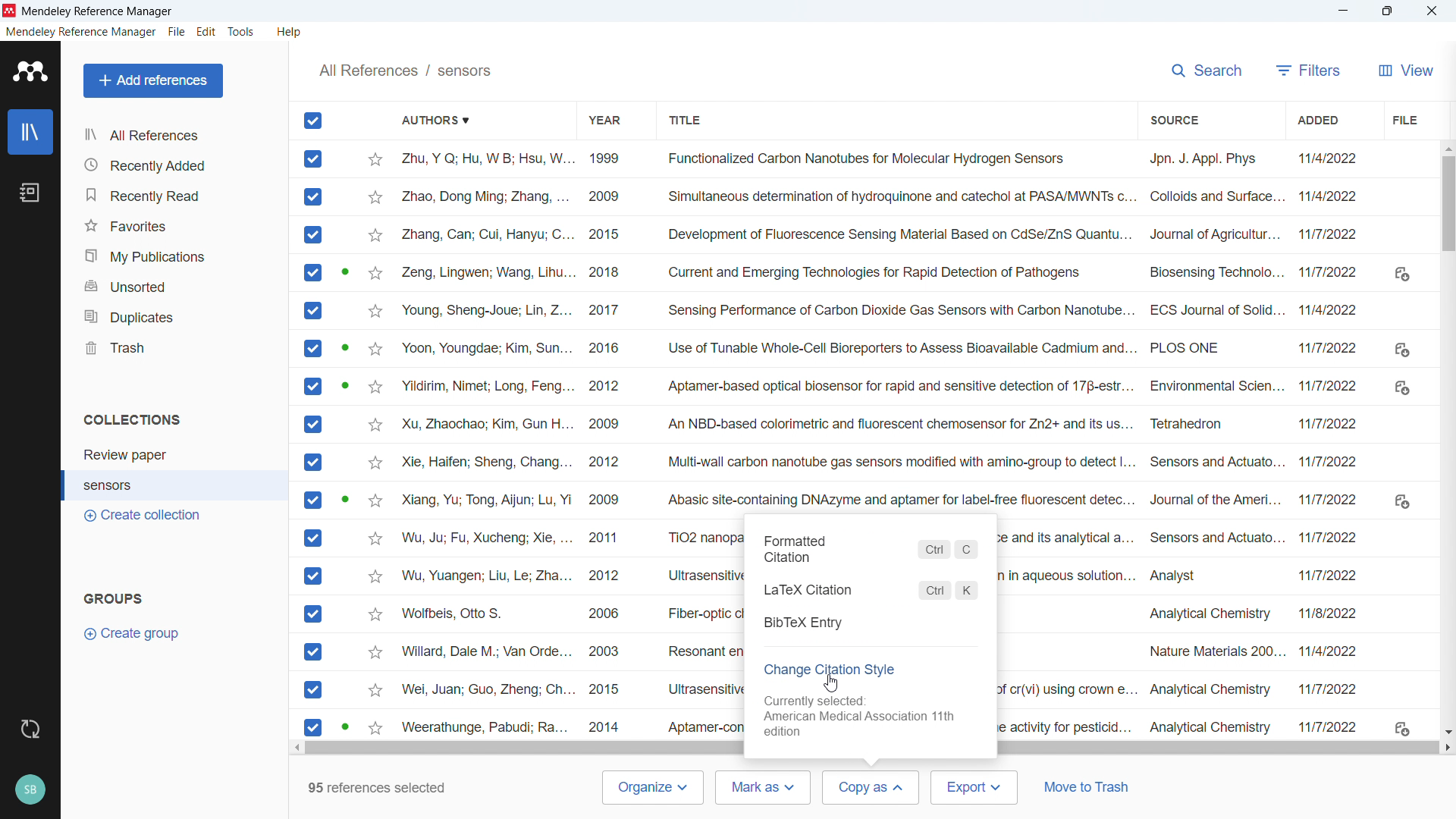 This screenshot has width=1456, height=819. What do you see at coordinates (766, 787) in the screenshot?
I see `Mark as ` at bounding box center [766, 787].